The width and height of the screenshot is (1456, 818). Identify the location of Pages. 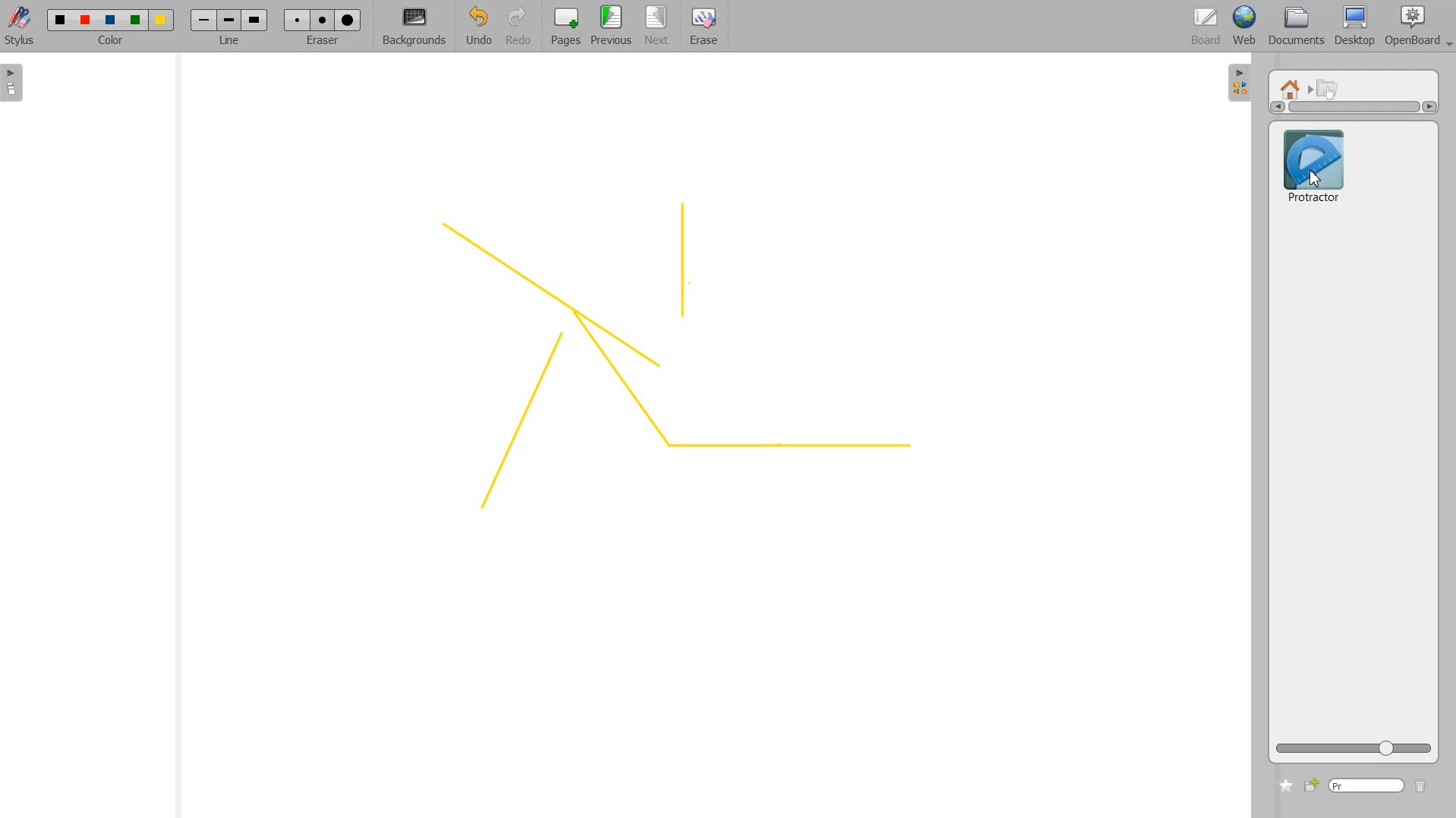
(564, 27).